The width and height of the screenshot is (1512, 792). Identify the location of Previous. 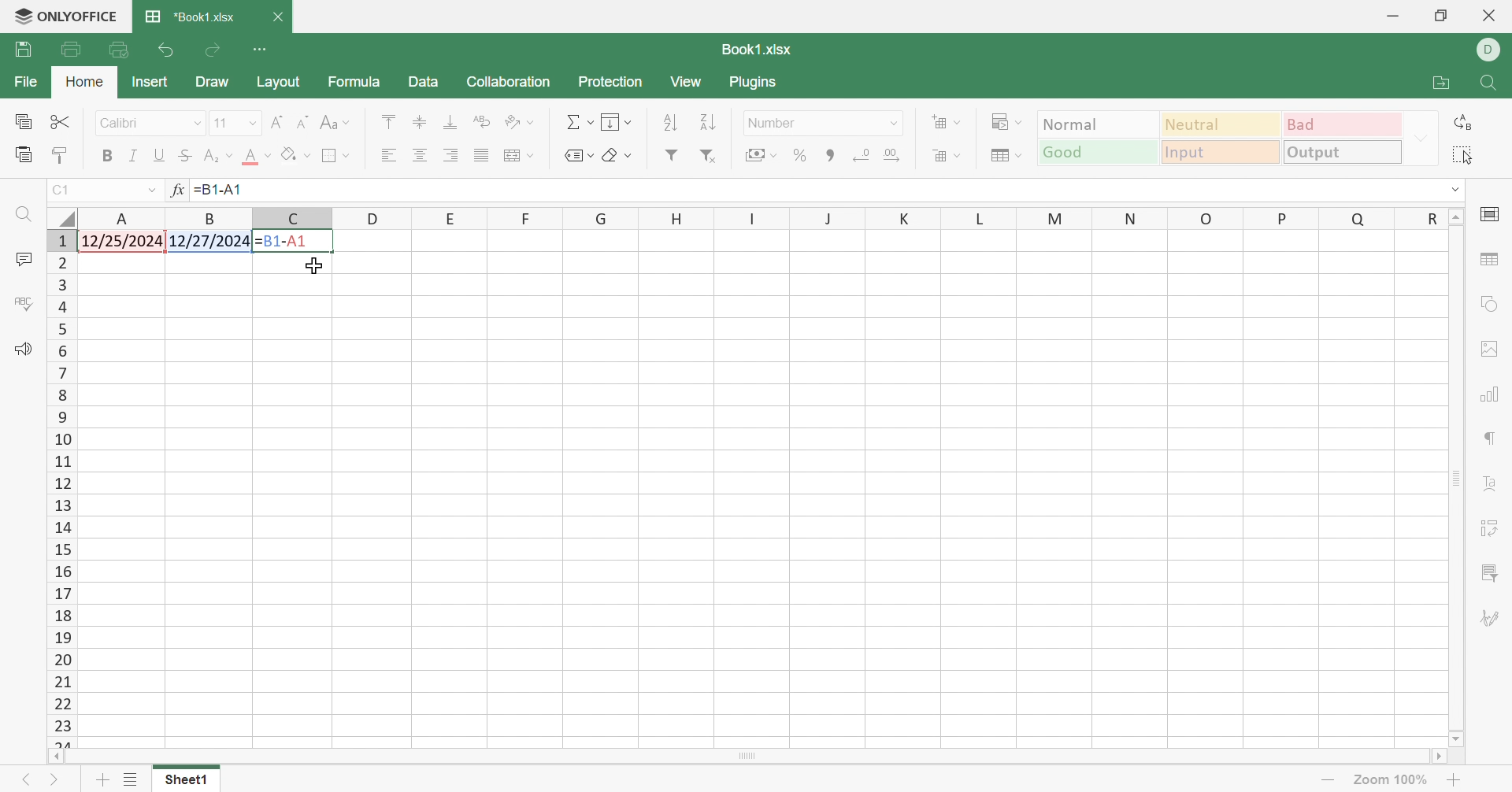
(20, 779).